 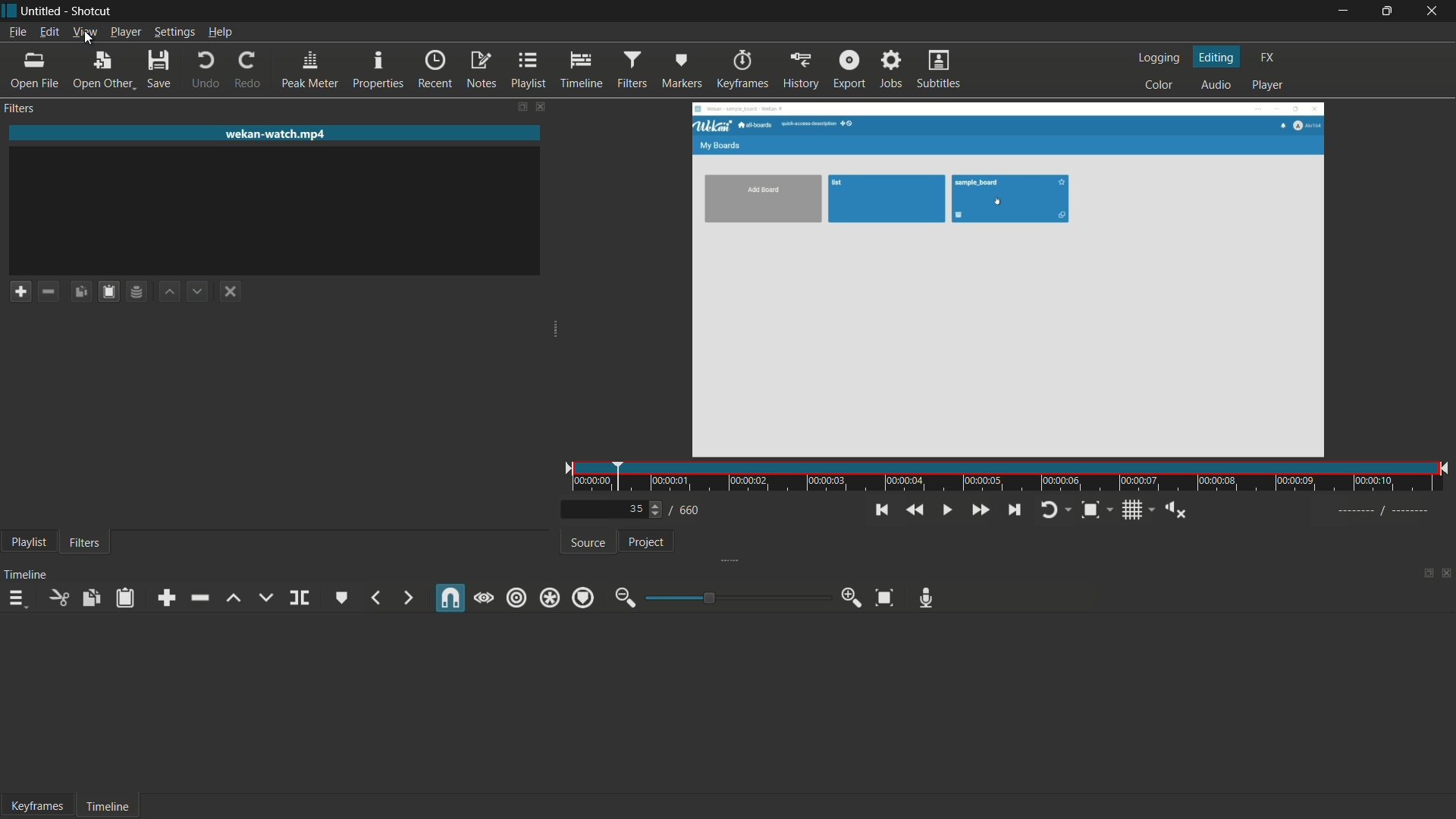 I want to click on change layout, so click(x=1421, y=572).